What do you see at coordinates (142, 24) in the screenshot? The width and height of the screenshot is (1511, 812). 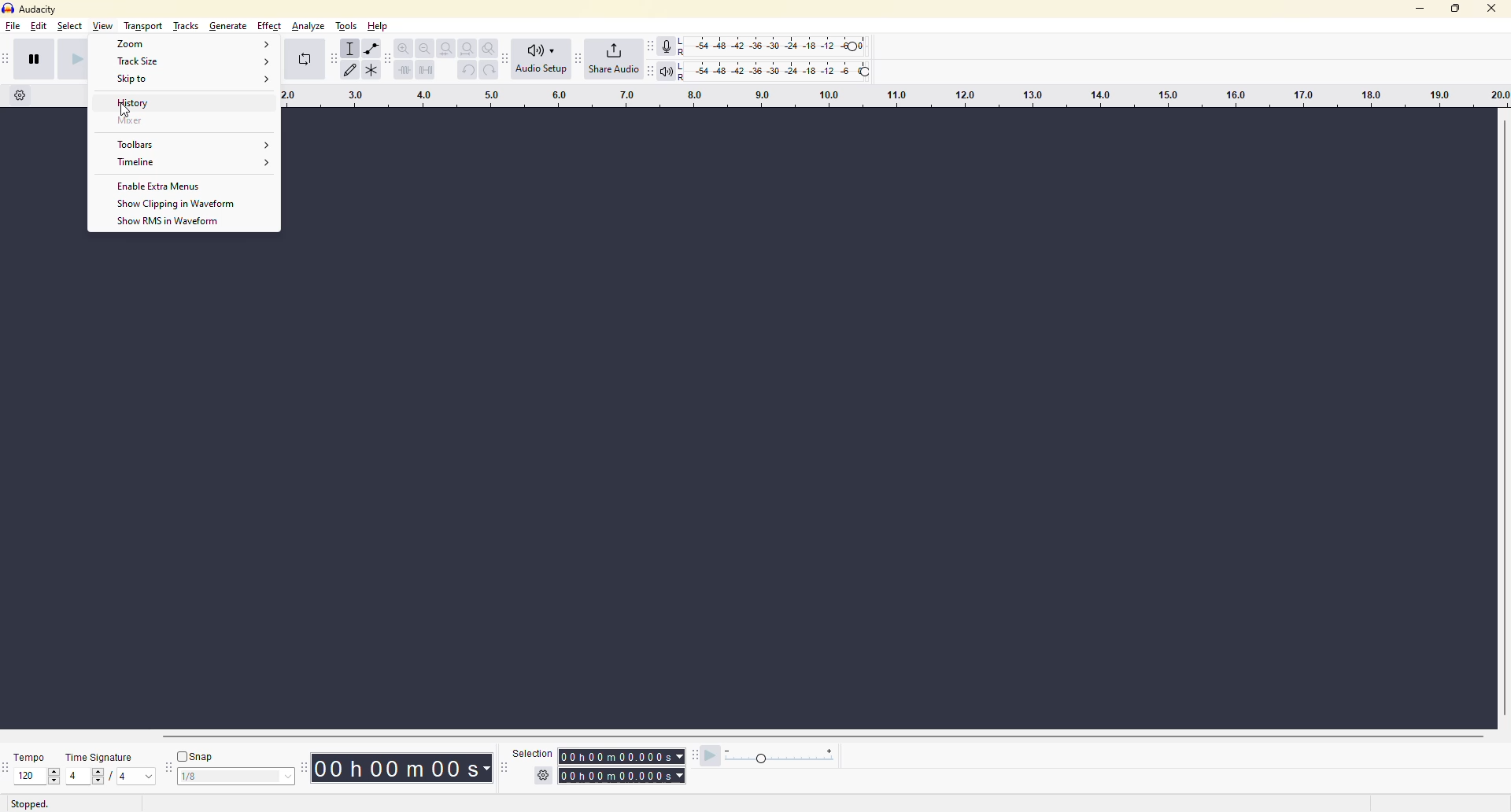 I see `transport` at bounding box center [142, 24].